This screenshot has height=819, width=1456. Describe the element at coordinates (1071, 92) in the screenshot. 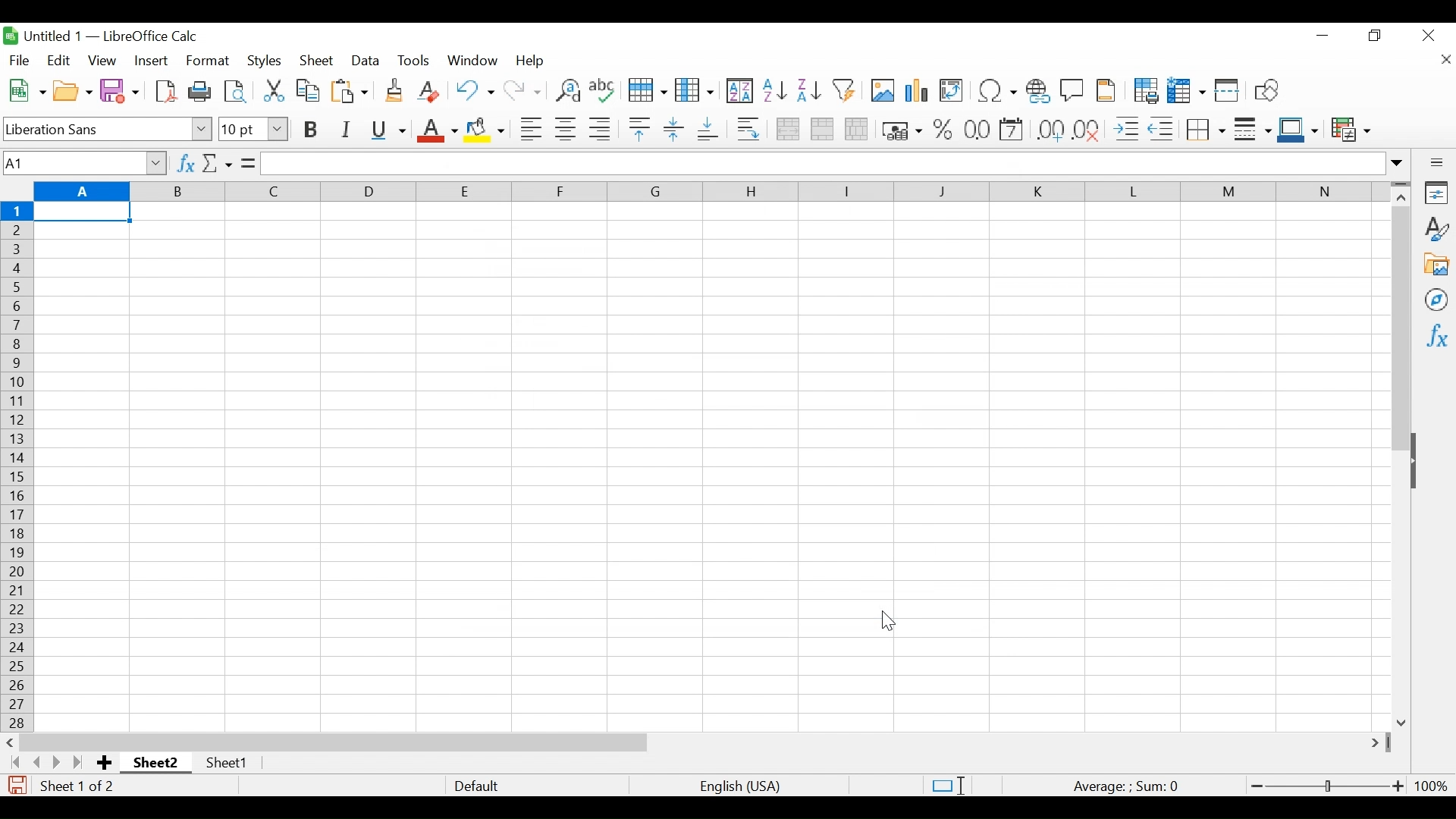

I see `Insert Comment` at that location.